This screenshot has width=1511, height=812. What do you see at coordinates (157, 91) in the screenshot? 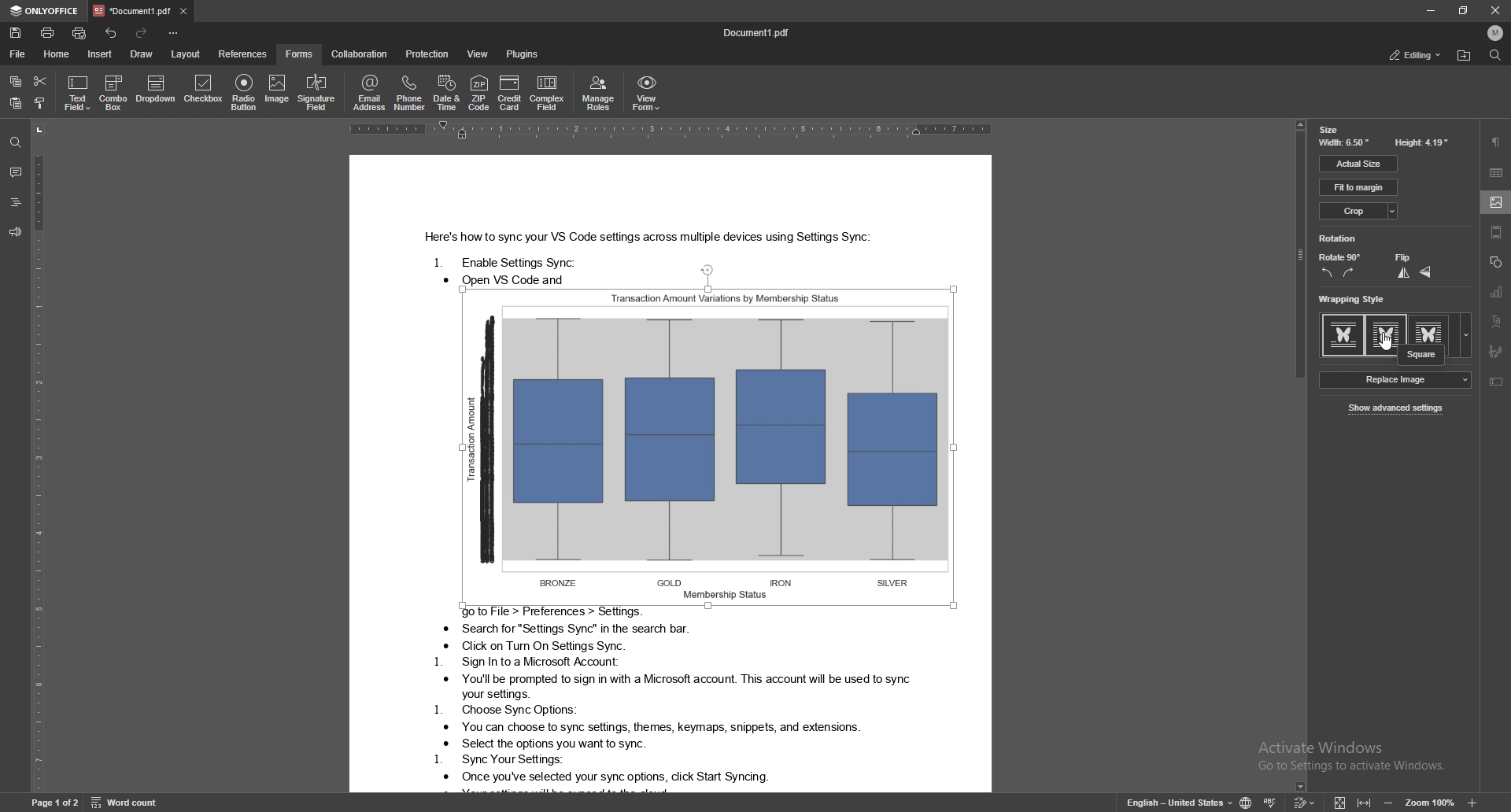
I see `dropdown` at bounding box center [157, 91].